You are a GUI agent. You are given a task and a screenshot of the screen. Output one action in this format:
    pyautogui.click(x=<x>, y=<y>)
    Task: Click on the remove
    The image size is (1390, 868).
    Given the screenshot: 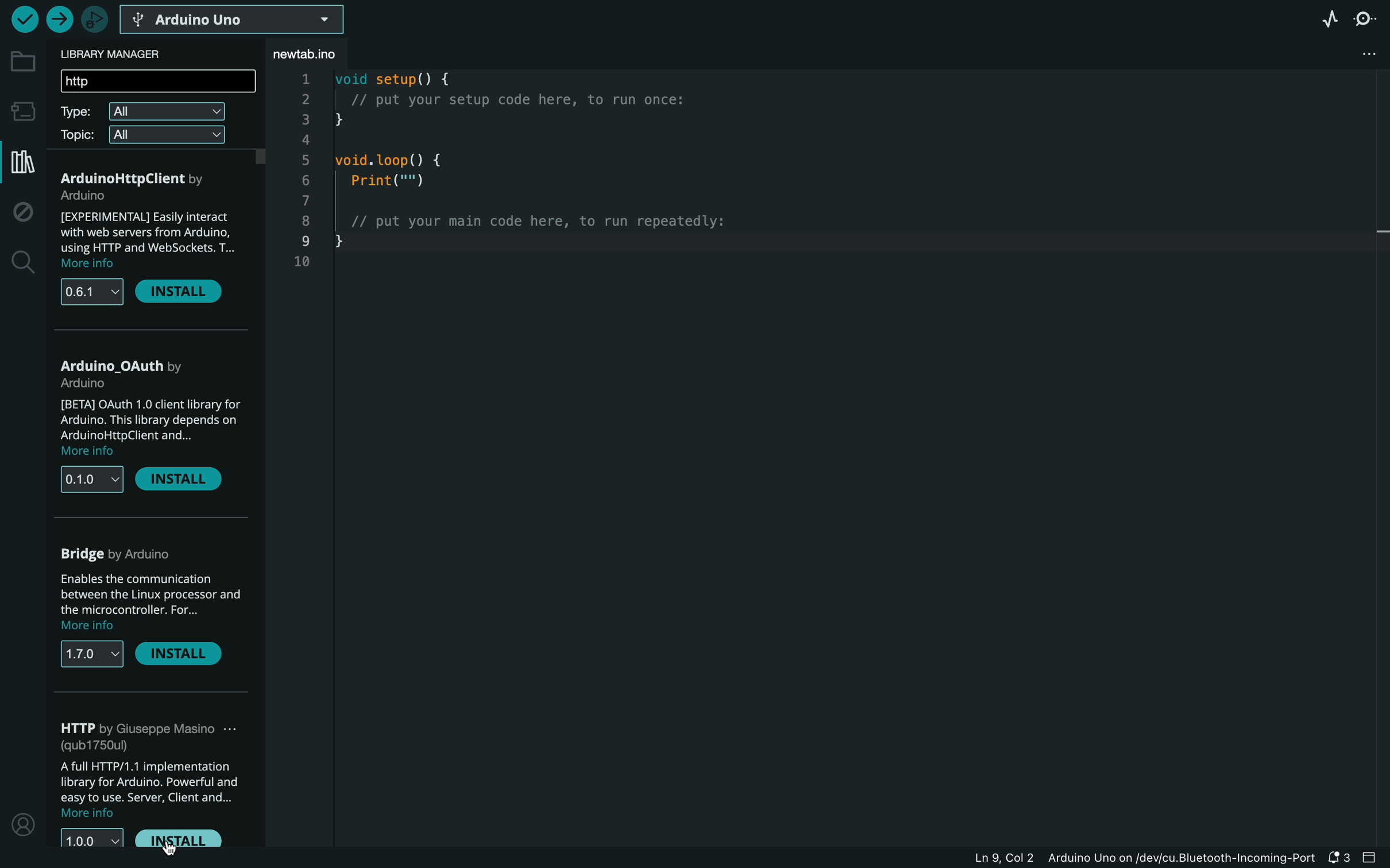 What is the action you would take?
    pyautogui.click(x=182, y=478)
    